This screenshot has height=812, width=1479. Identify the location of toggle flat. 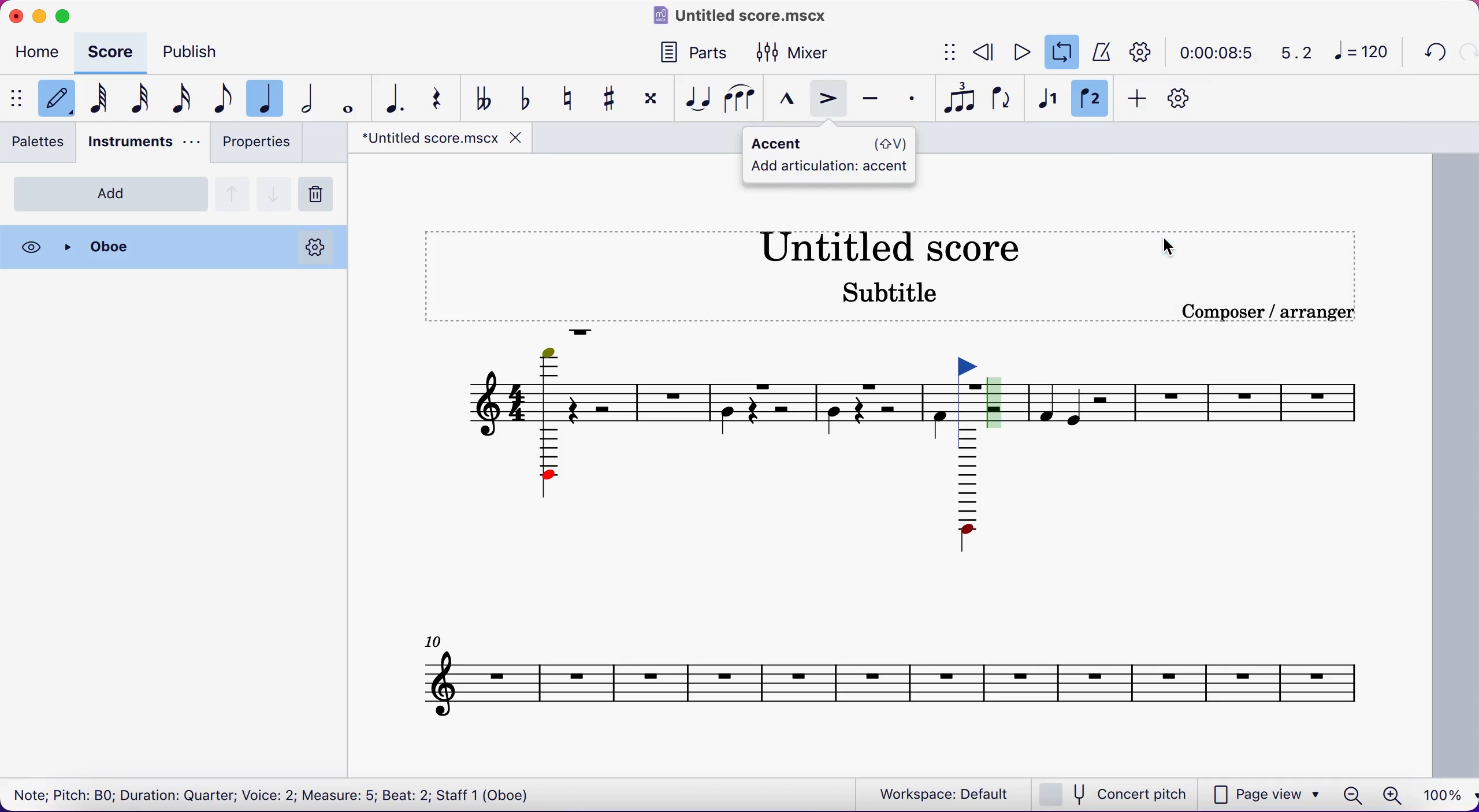
(529, 96).